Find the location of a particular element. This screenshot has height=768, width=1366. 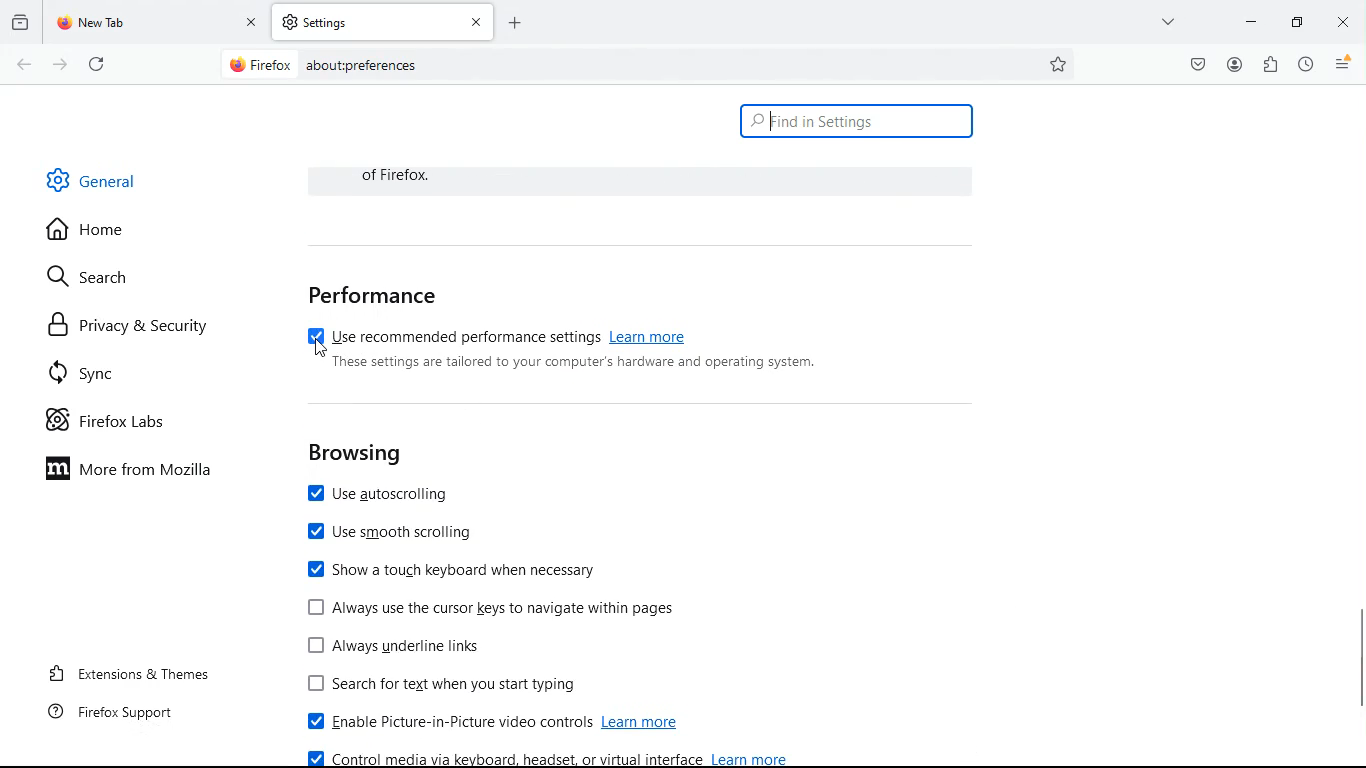

pocket is located at coordinates (1194, 65).